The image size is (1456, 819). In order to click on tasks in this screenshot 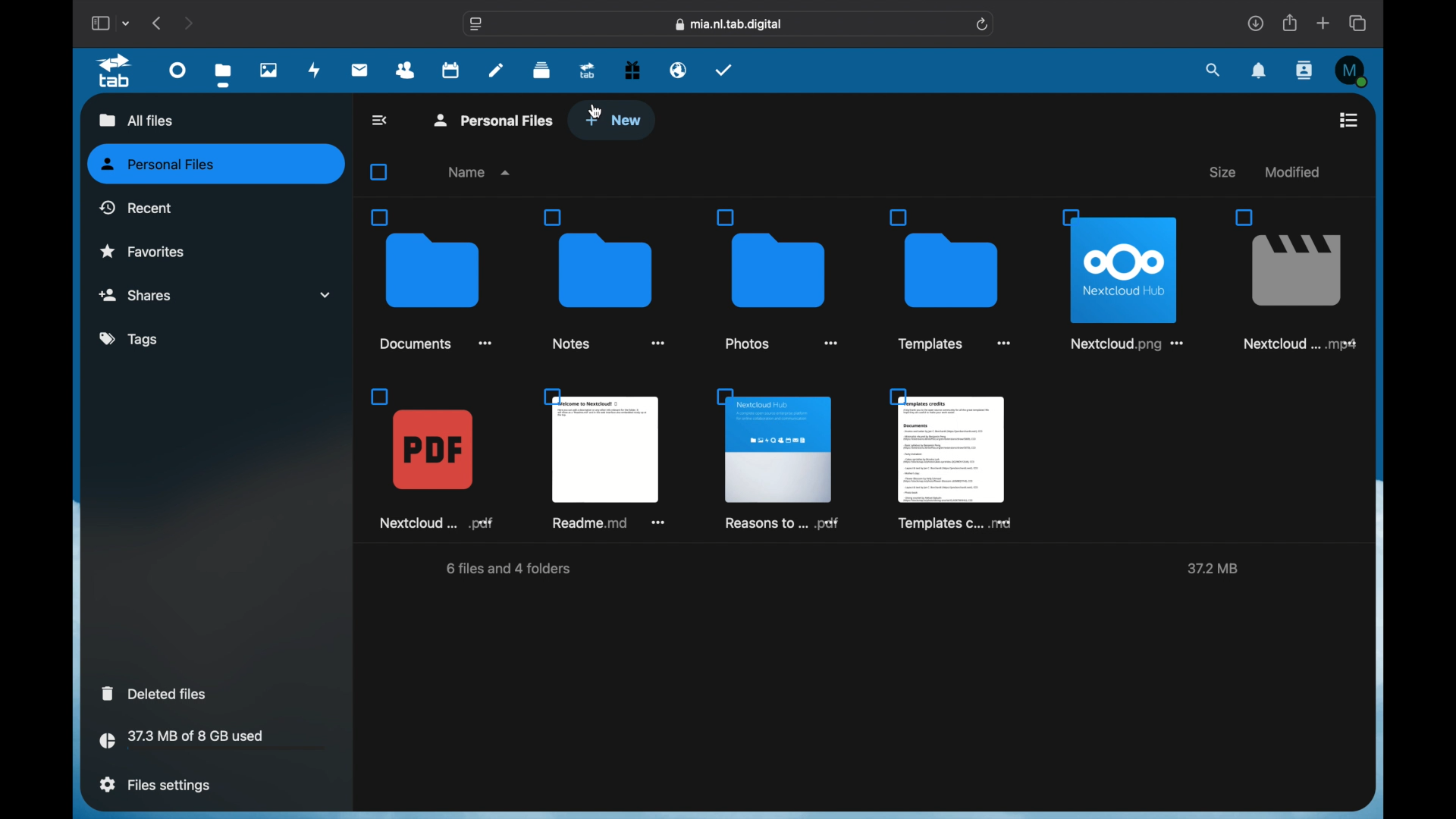, I will do `click(724, 70)`.